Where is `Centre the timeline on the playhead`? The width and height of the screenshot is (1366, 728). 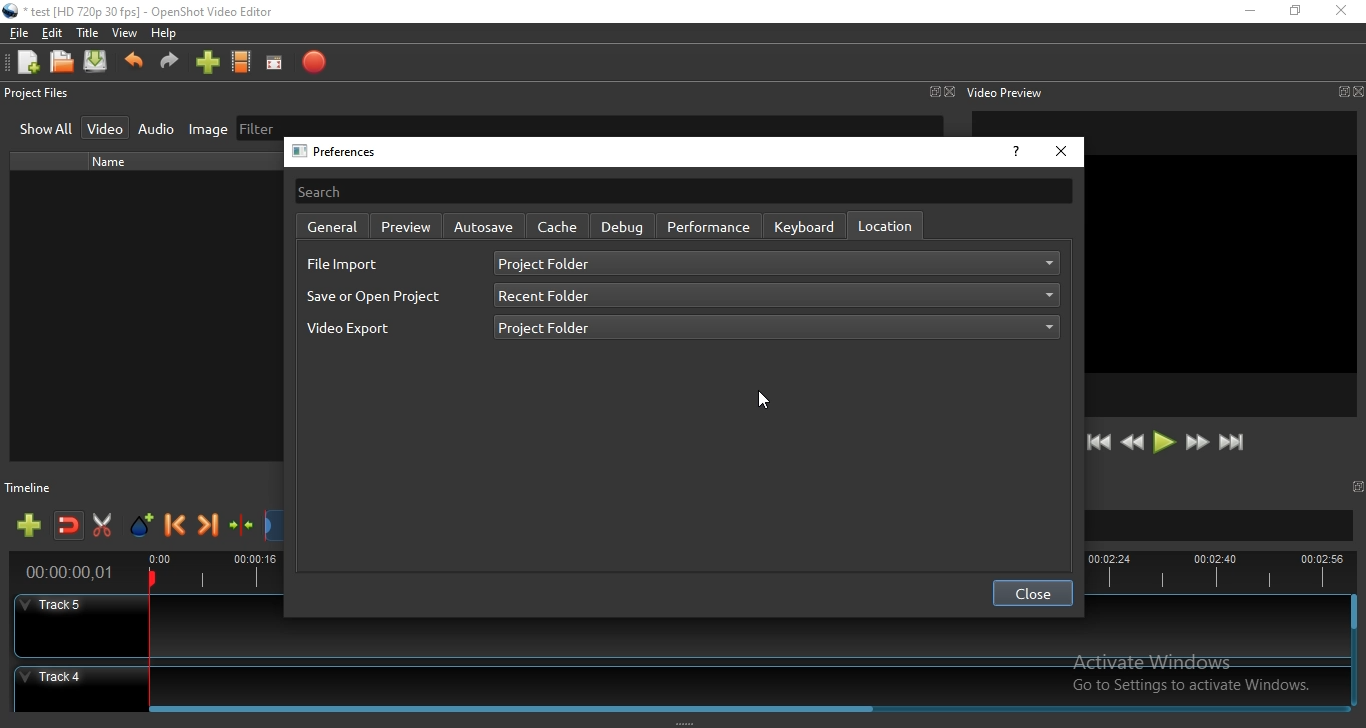
Centre the timeline on the playhead is located at coordinates (242, 529).